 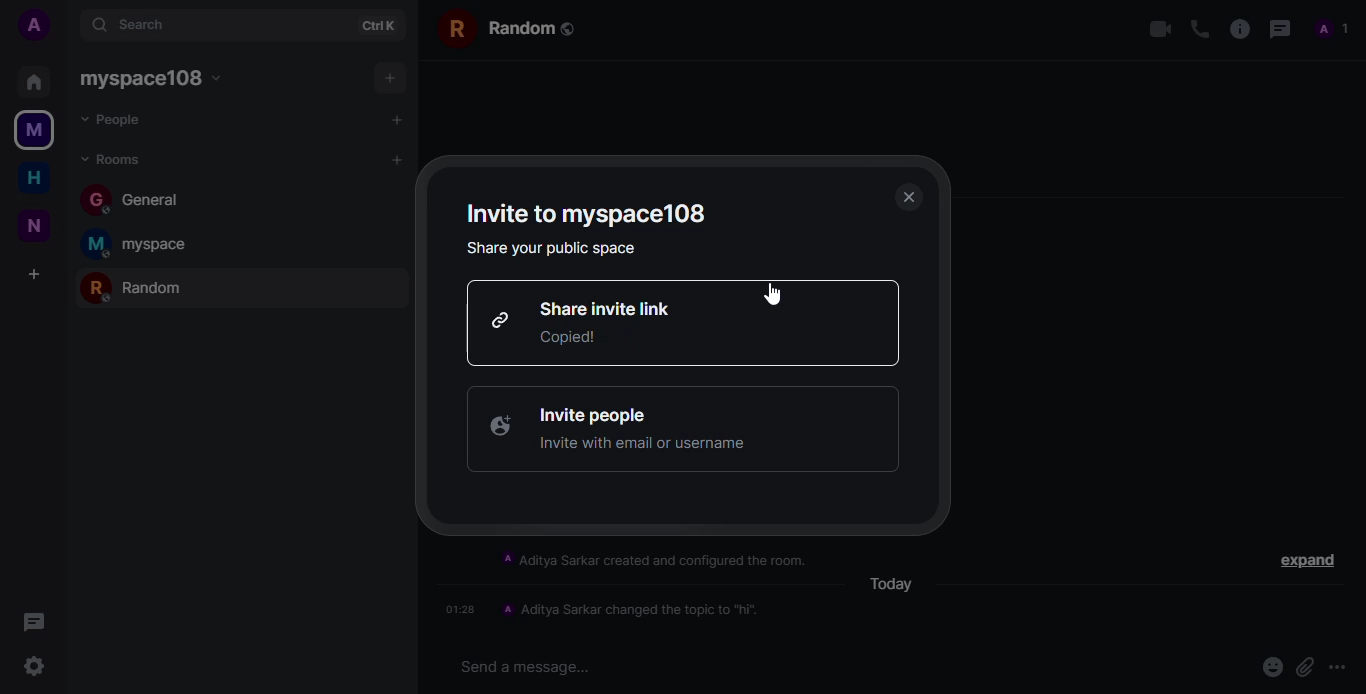 I want to click on threads, so click(x=38, y=622).